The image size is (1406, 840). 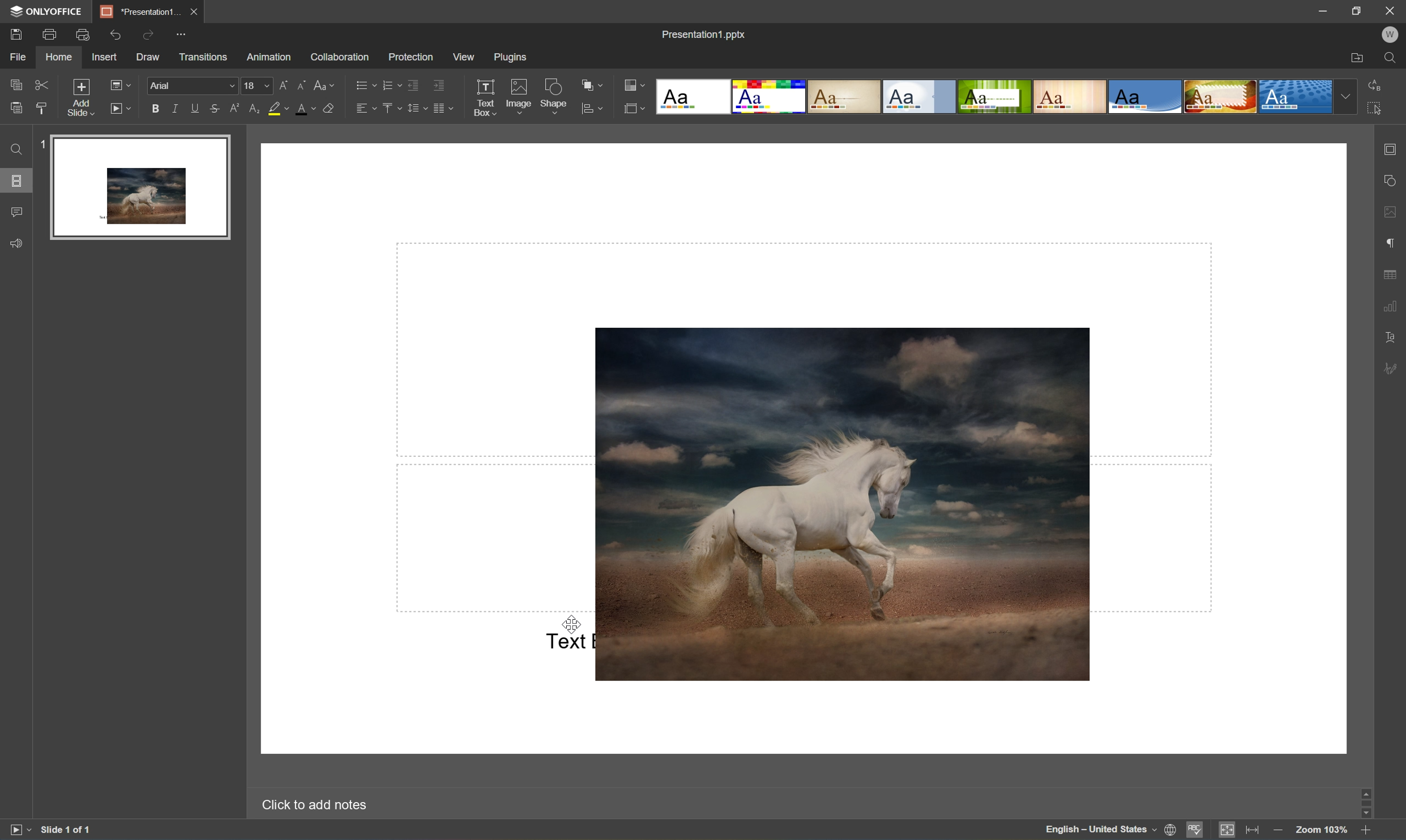 I want to click on Scroll Bar, so click(x=1368, y=800).